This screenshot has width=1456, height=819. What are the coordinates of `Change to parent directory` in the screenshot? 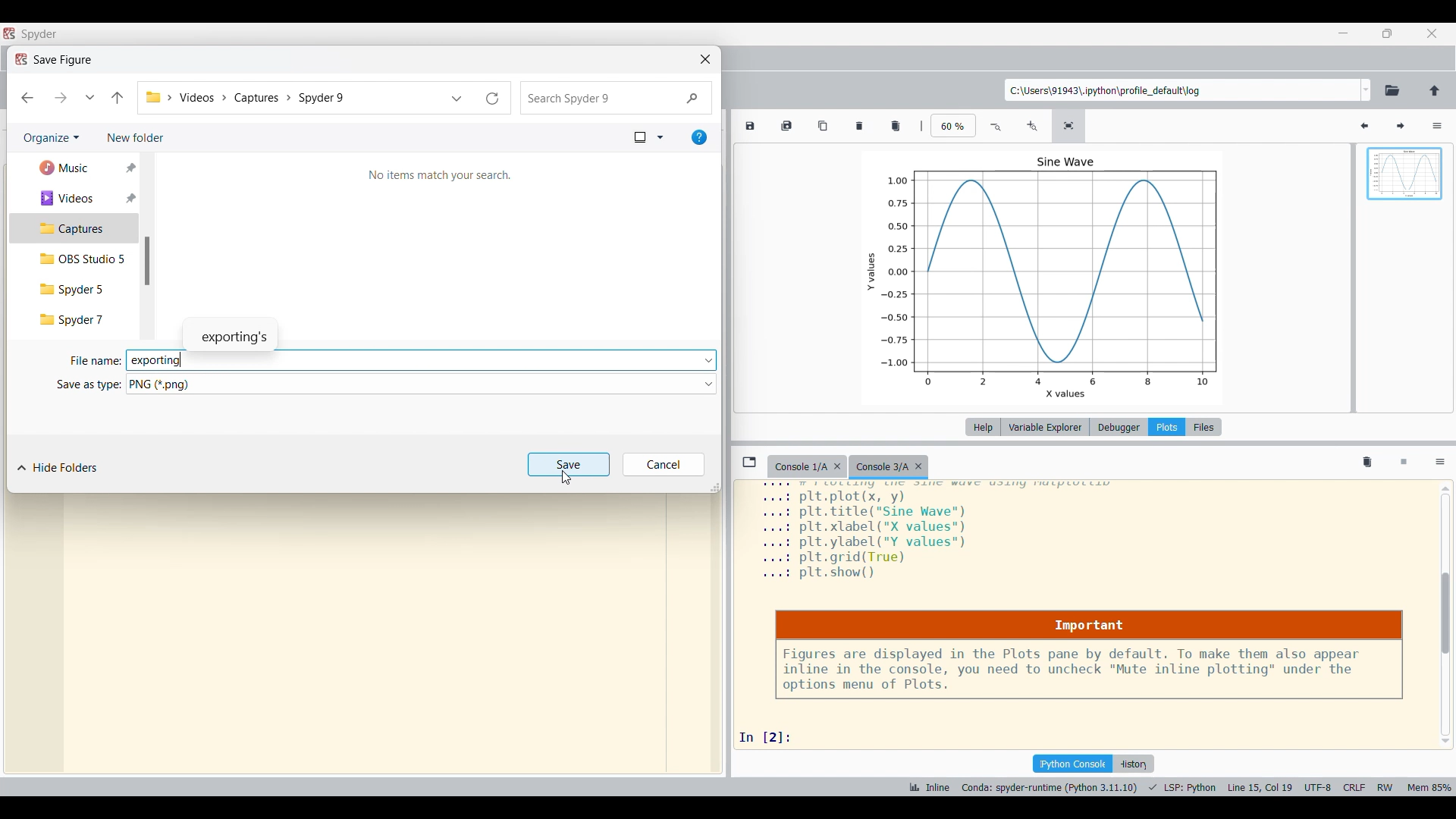 It's located at (1435, 90).